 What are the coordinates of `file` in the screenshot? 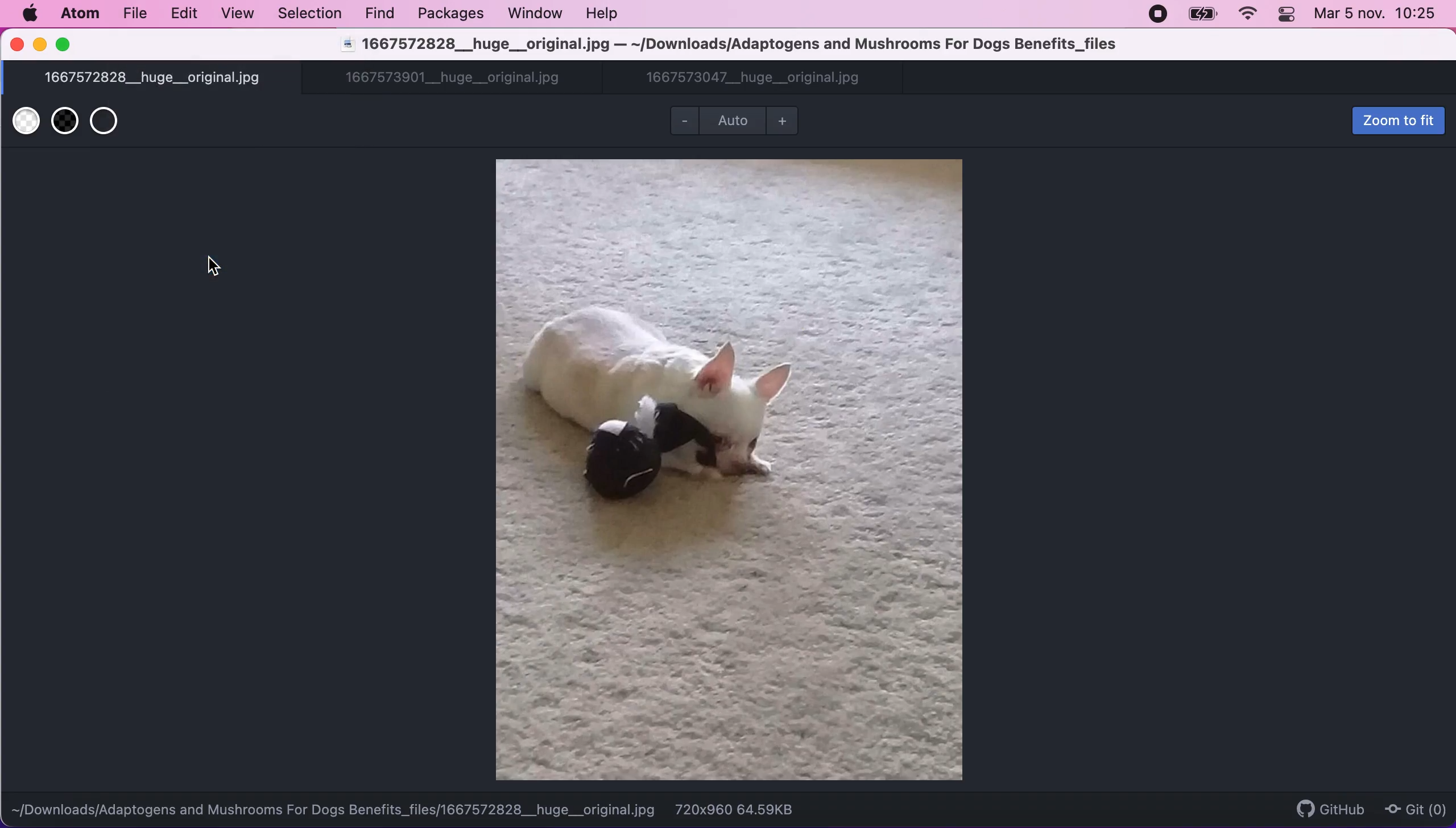 It's located at (138, 15).